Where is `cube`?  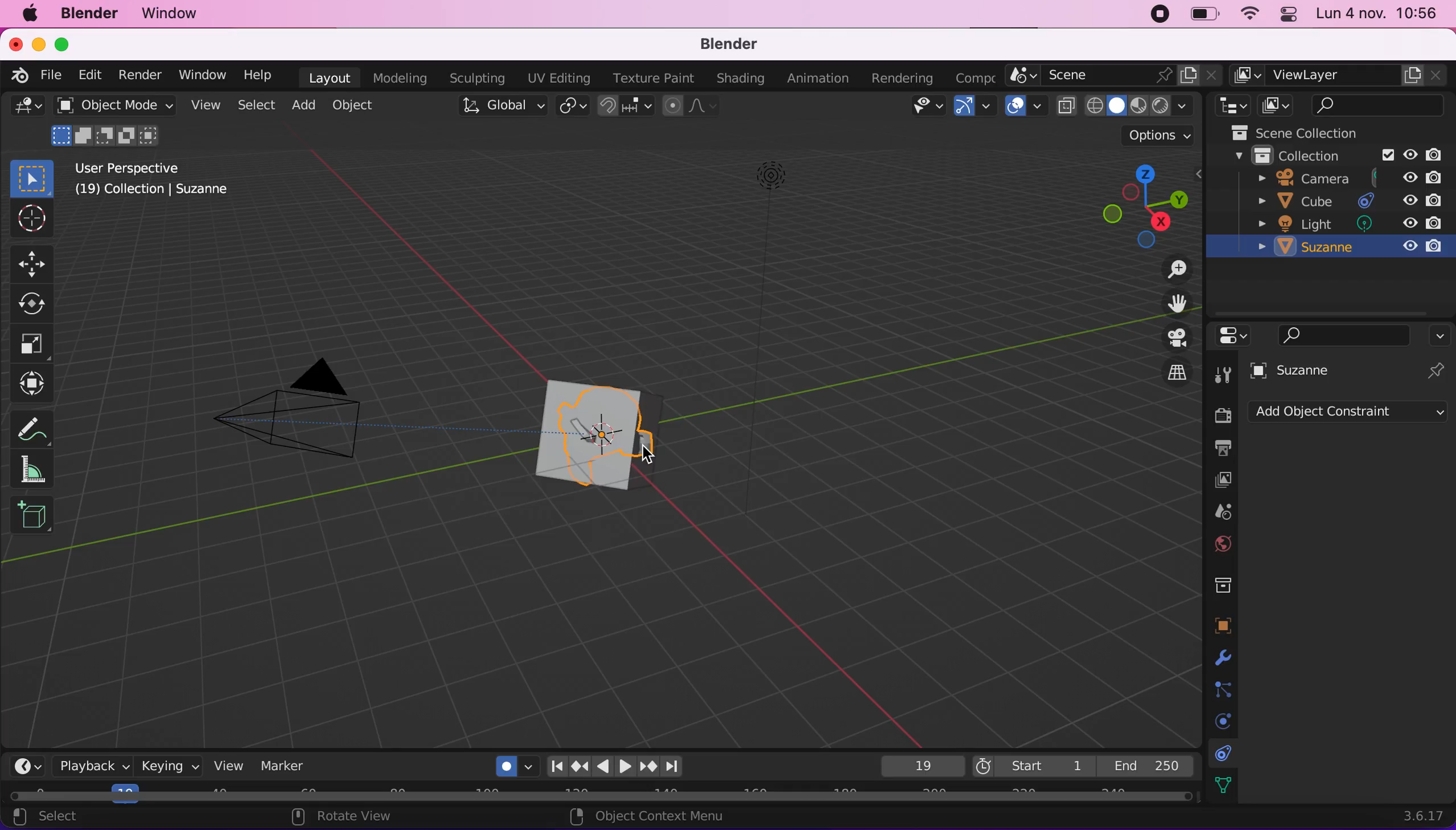 cube is located at coordinates (1347, 201).